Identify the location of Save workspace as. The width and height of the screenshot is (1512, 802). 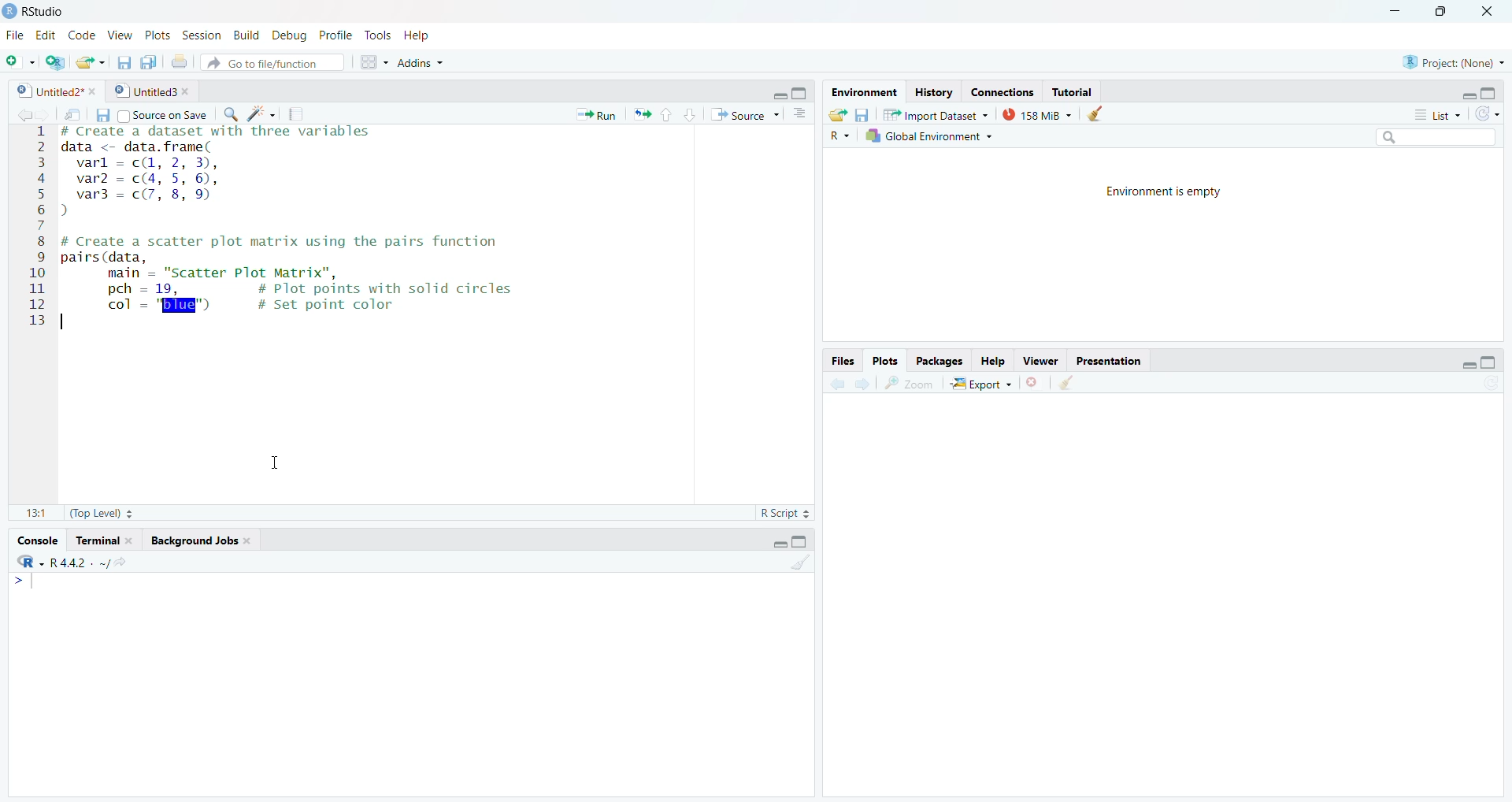
(866, 113).